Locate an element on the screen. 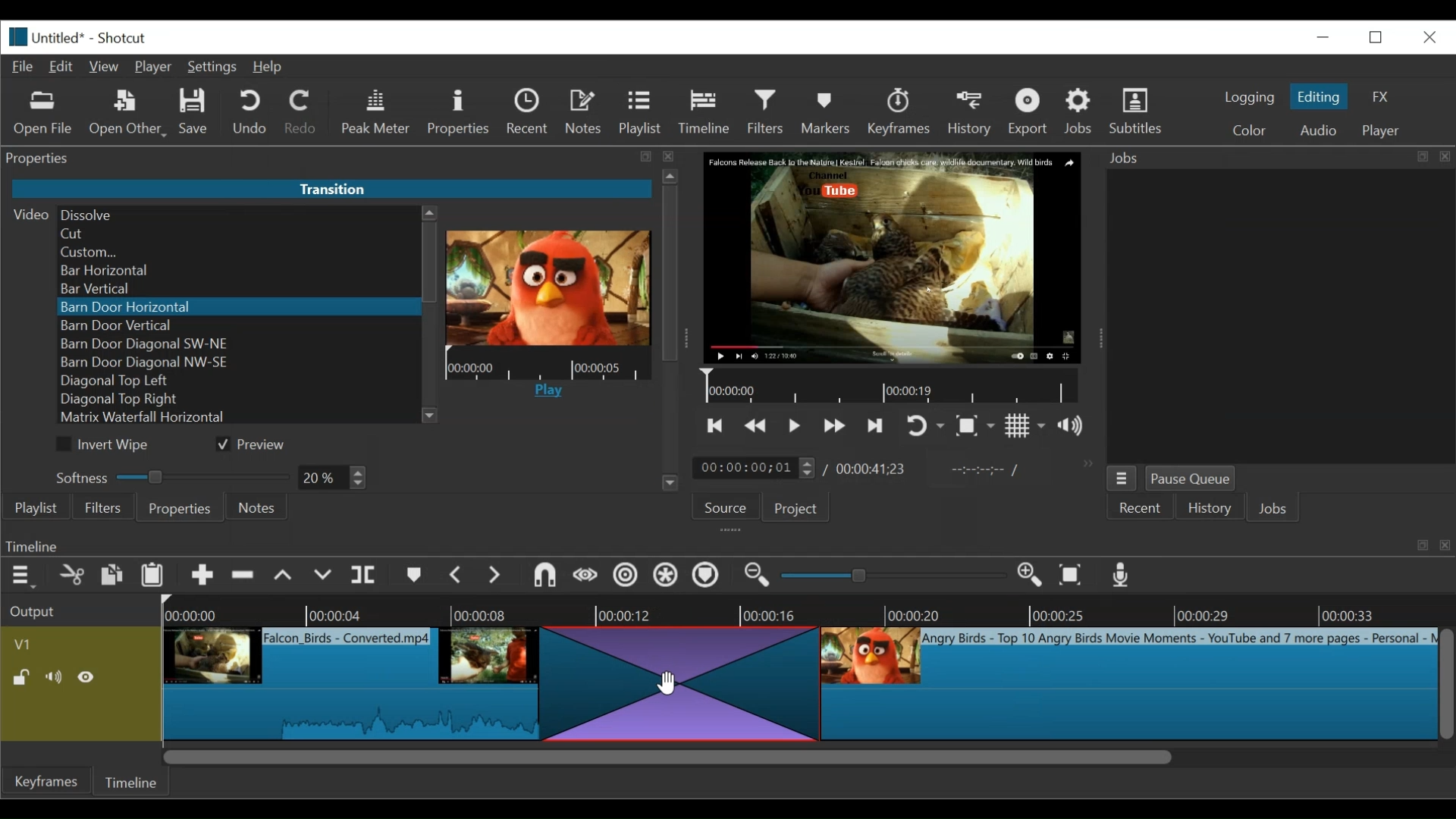  Shotcut logo is located at coordinates (14, 37).